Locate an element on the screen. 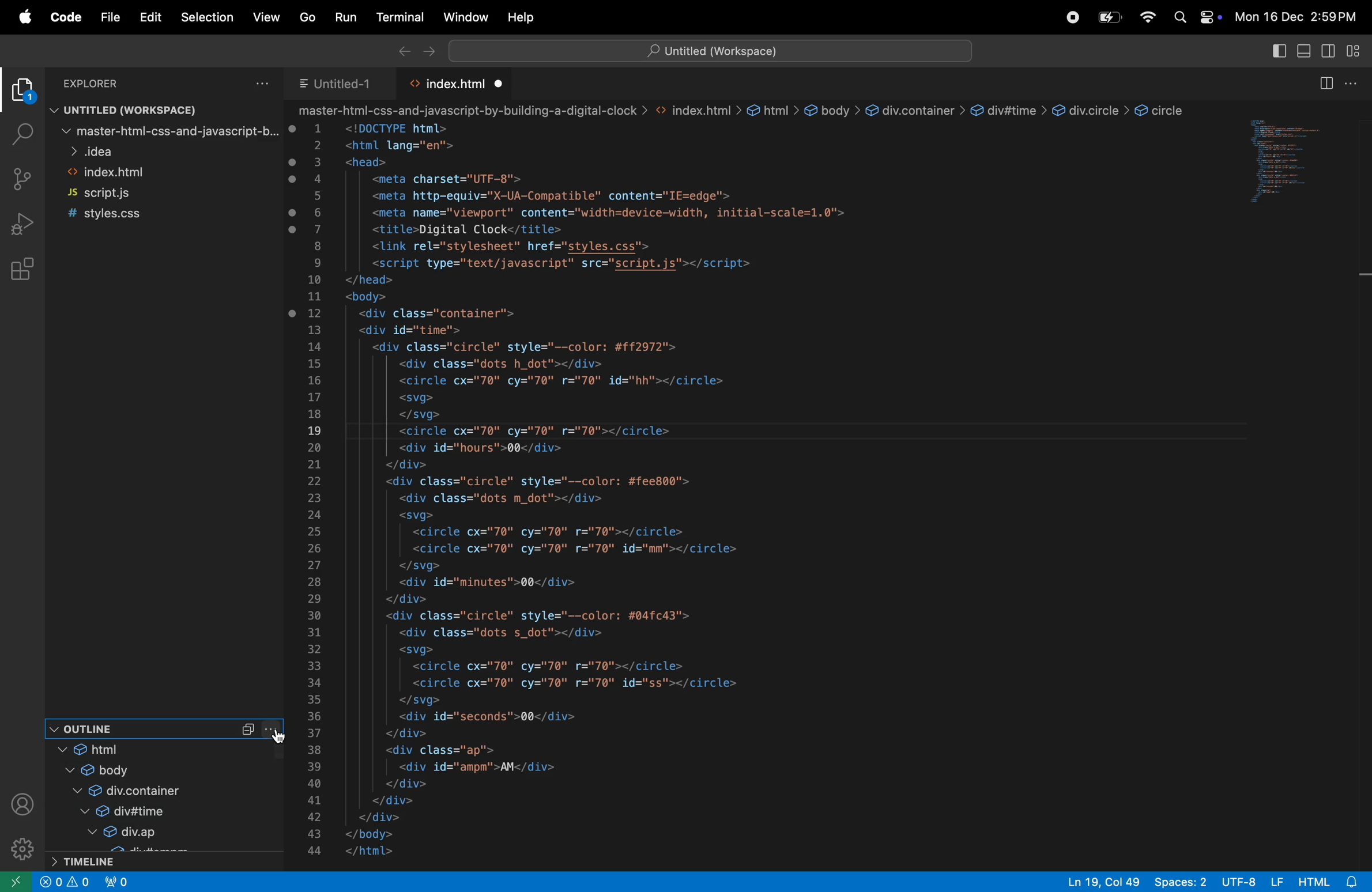  more is located at coordinates (273, 729).